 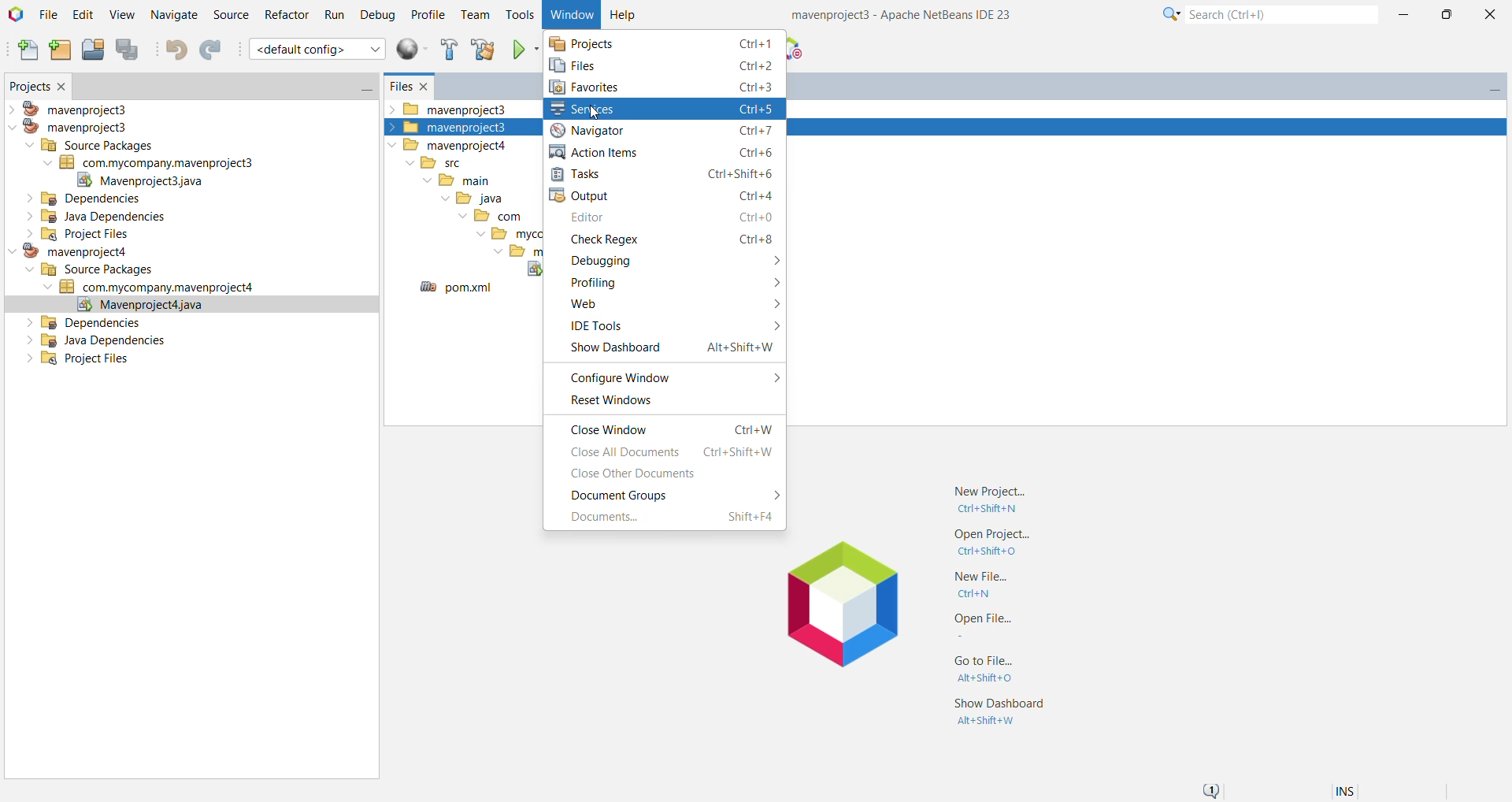 What do you see at coordinates (453, 109) in the screenshot?
I see `mavenproject3` at bounding box center [453, 109].